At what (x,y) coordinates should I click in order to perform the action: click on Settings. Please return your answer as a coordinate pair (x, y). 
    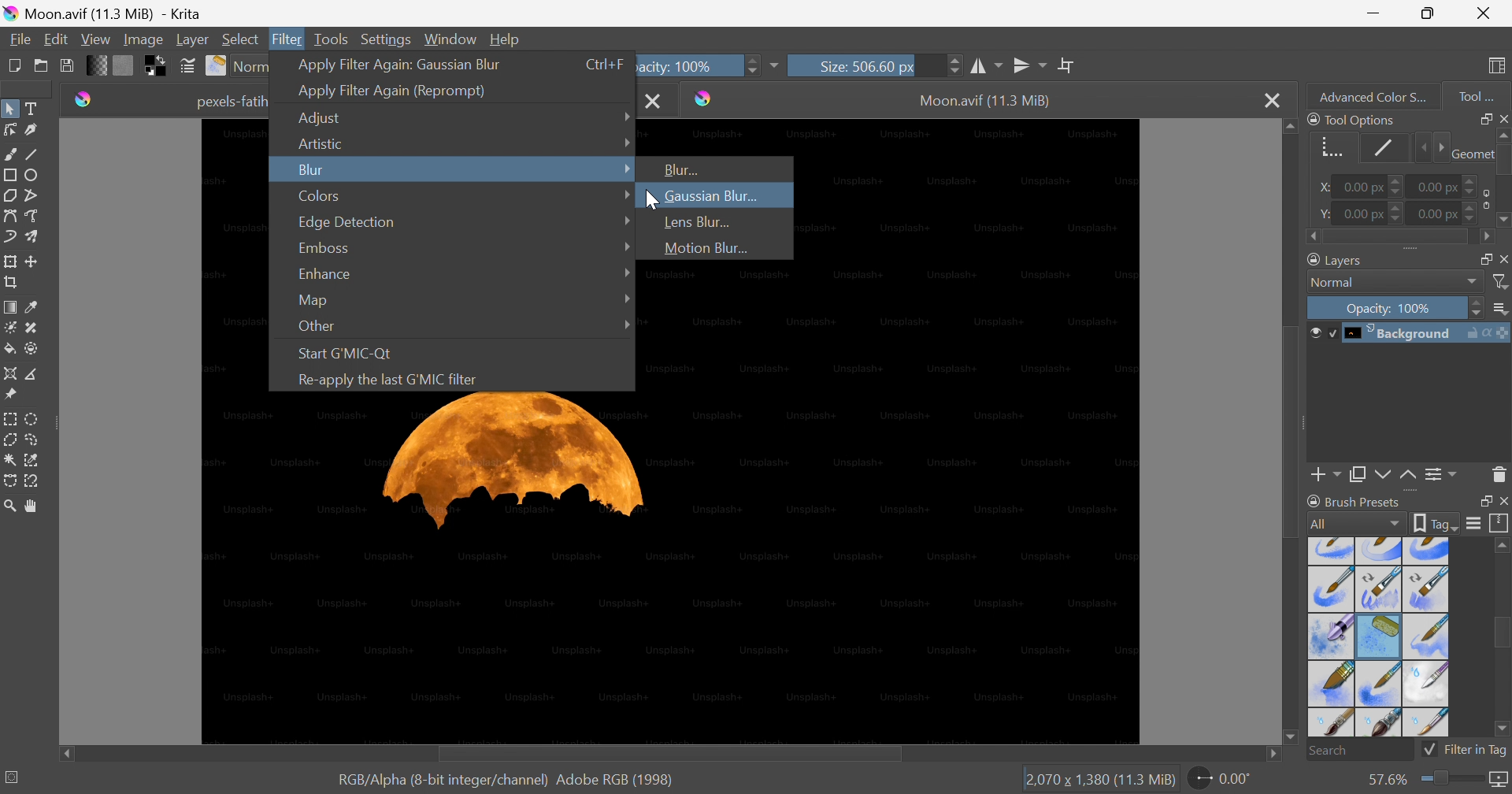
    Looking at the image, I should click on (386, 41).